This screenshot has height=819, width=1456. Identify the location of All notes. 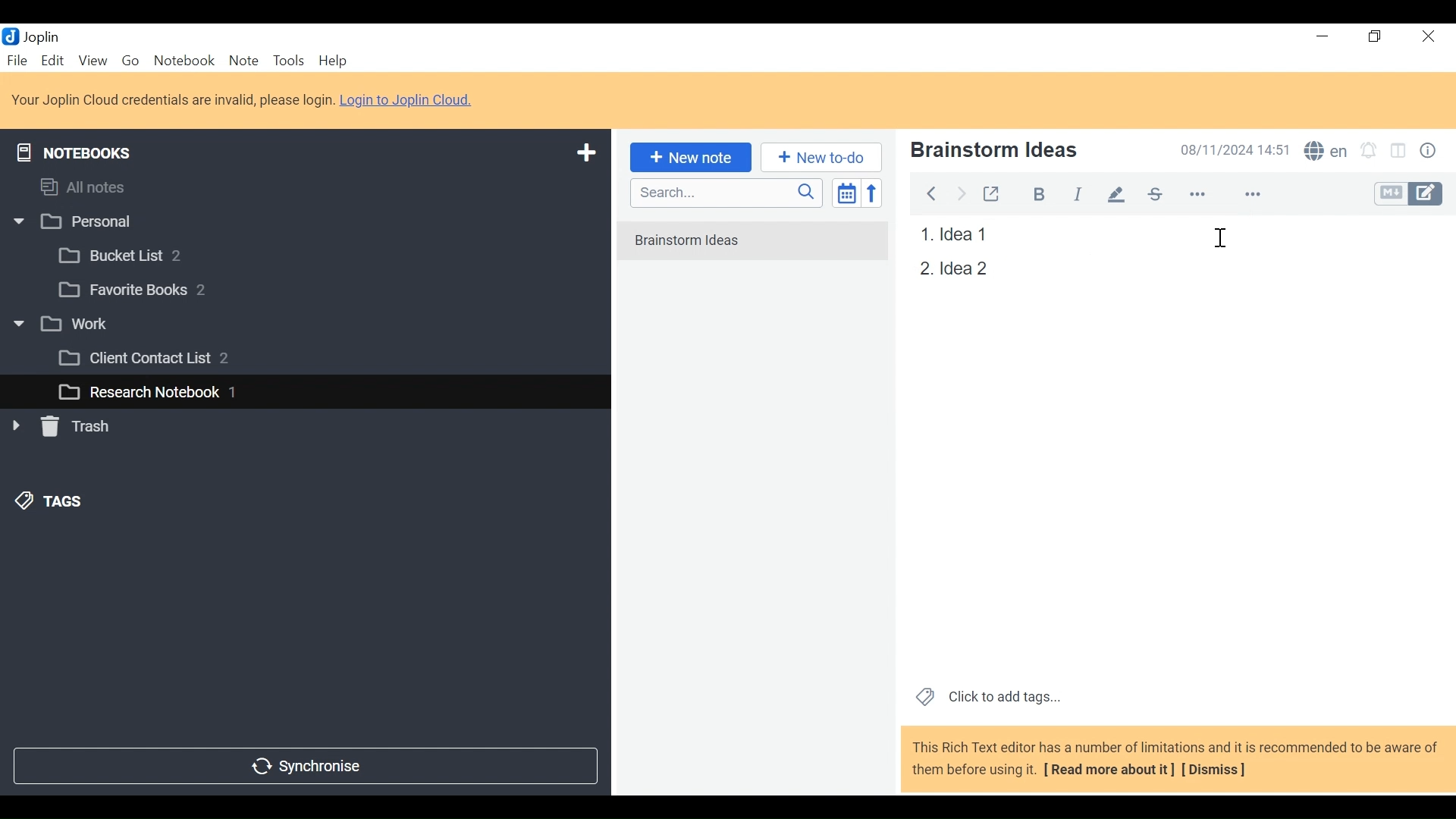
(97, 184).